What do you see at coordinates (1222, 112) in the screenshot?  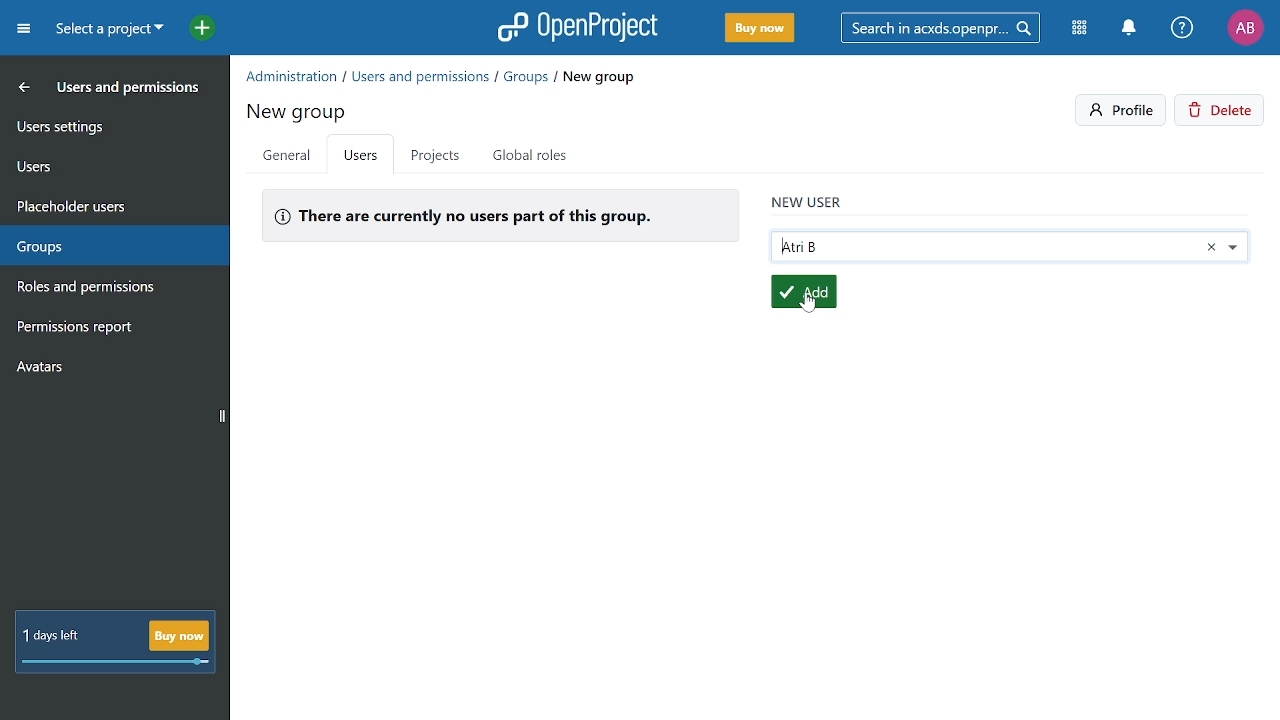 I see `Delete` at bounding box center [1222, 112].